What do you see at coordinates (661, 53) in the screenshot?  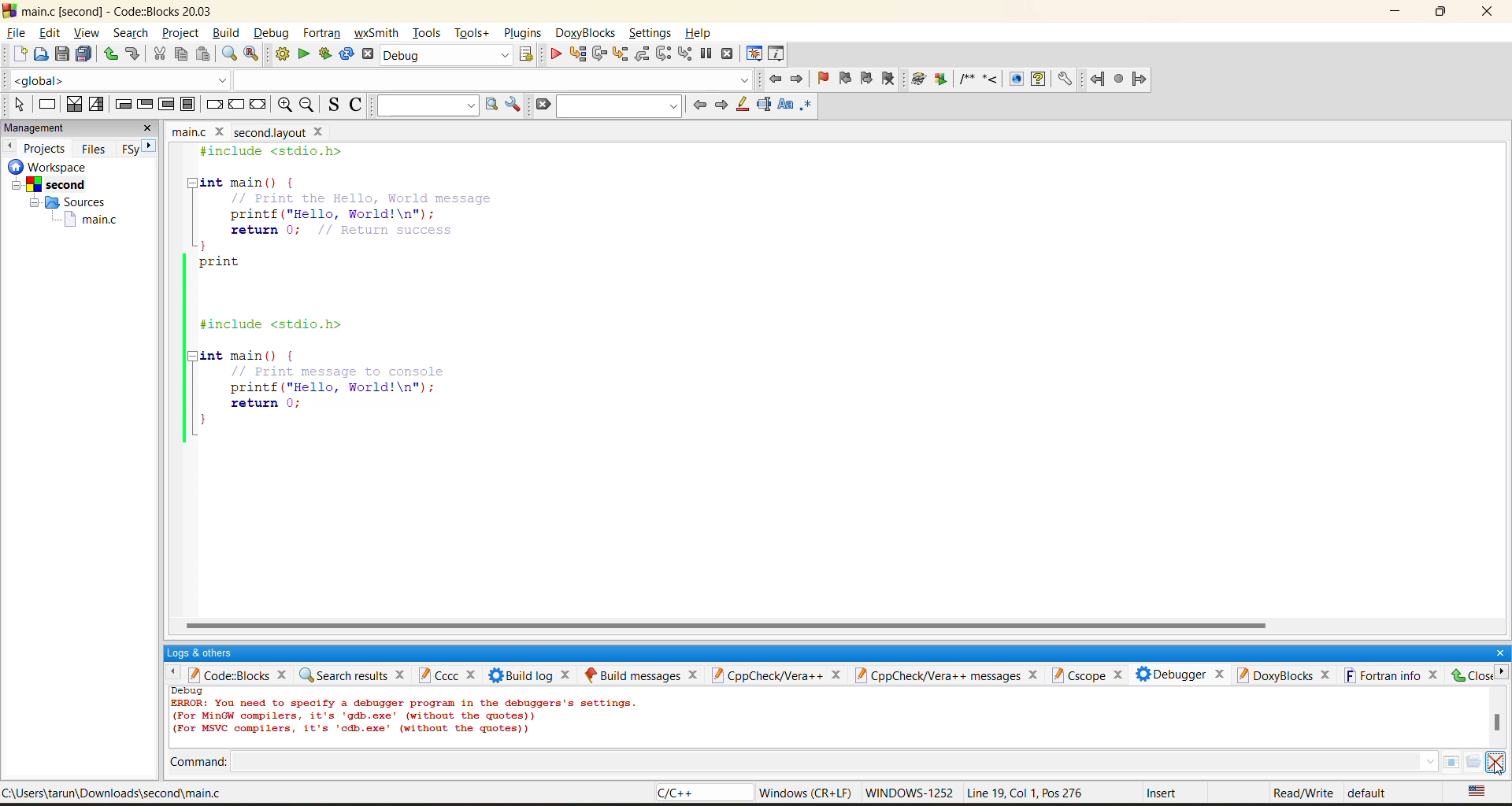 I see `next instruction` at bounding box center [661, 53].